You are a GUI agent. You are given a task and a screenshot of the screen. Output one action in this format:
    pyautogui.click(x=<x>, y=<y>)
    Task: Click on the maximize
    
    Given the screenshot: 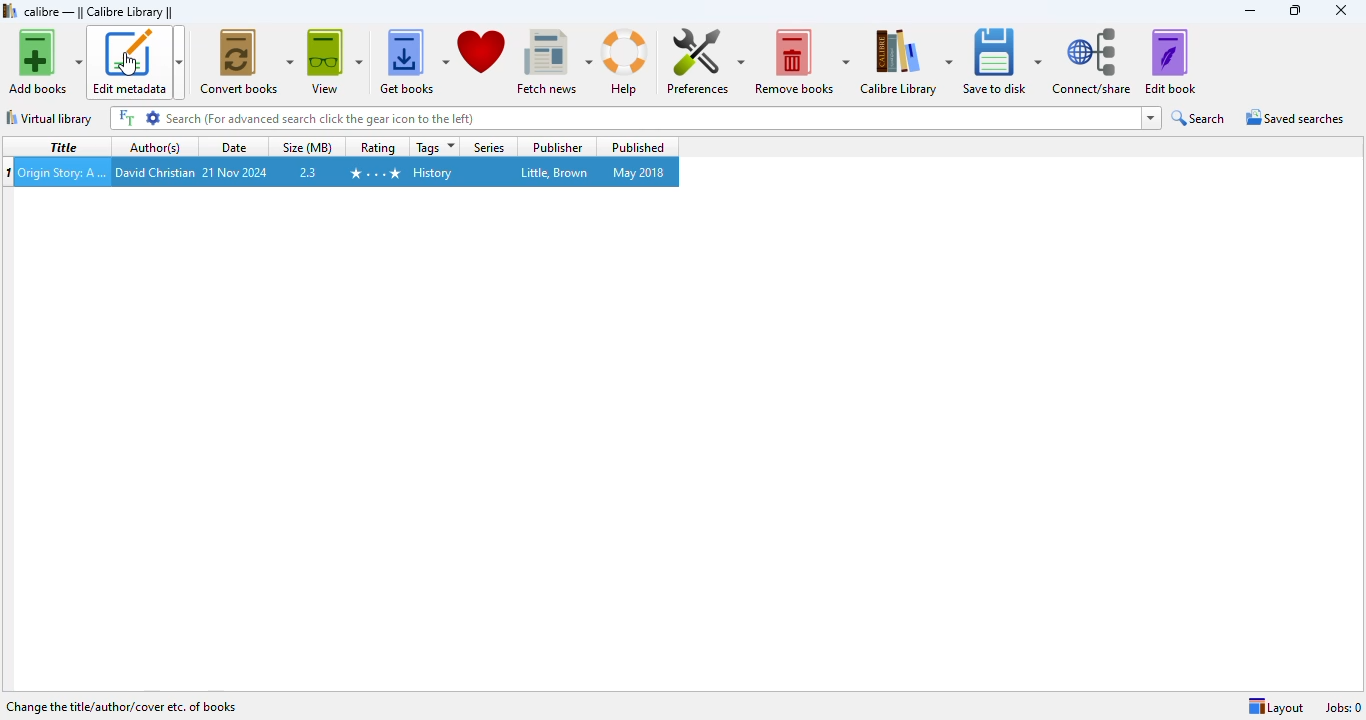 What is the action you would take?
    pyautogui.click(x=1296, y=10)
    